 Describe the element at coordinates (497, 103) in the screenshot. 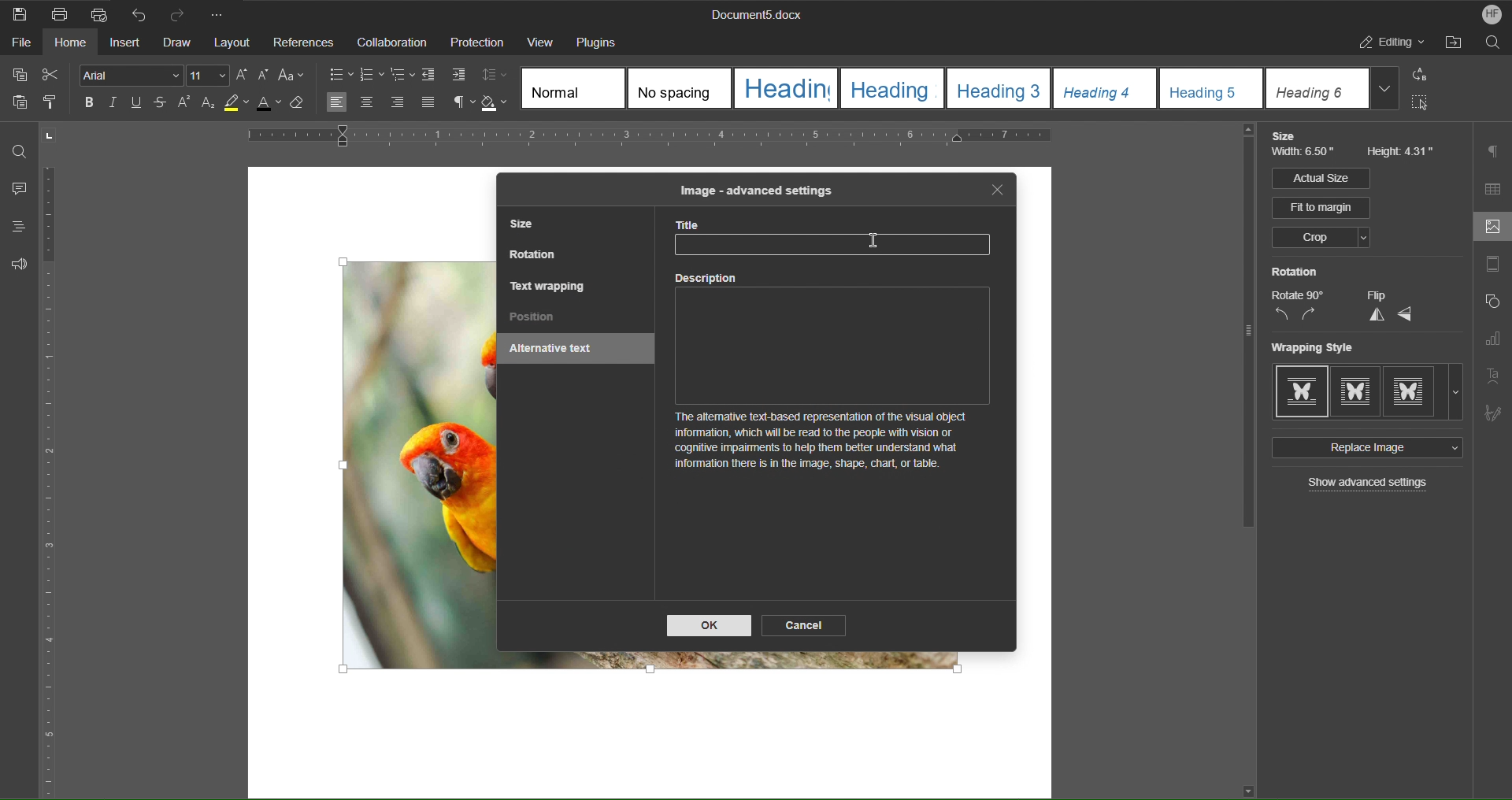

I see `Shadow` at that location.